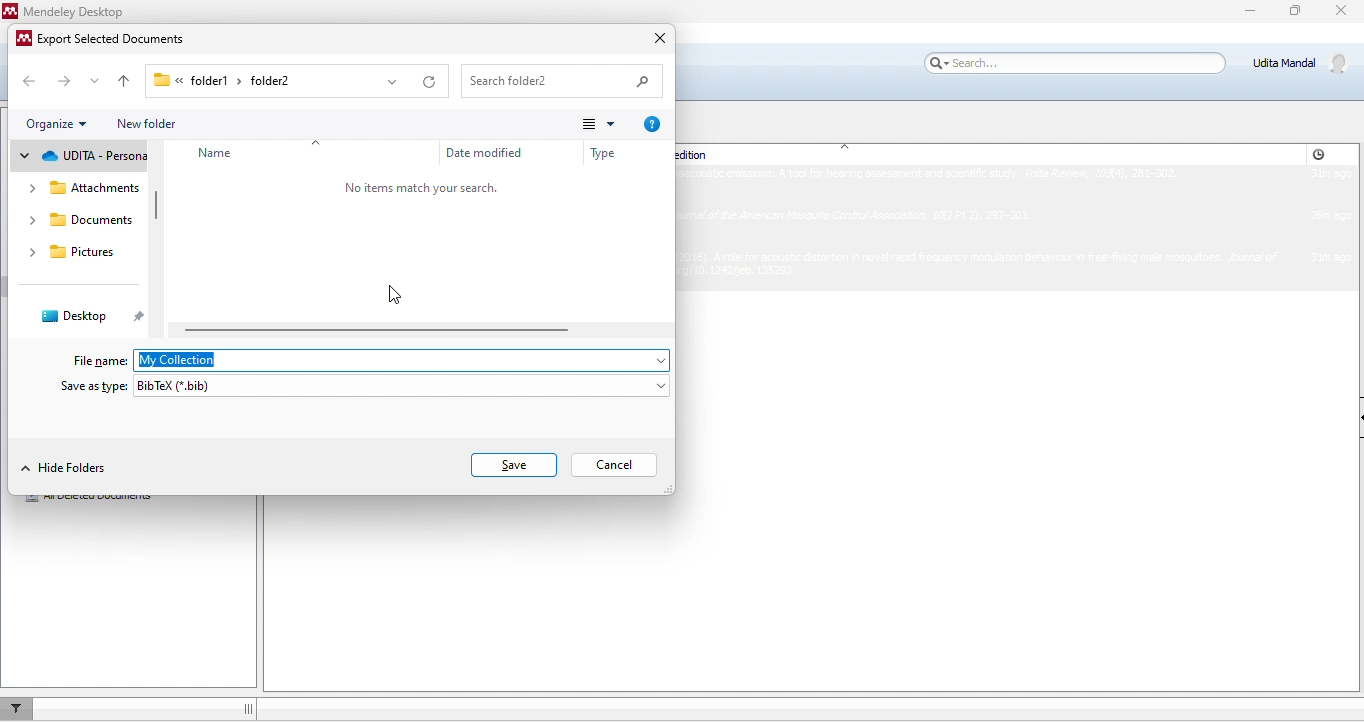  Describe the element at coordinates (108, 39) in the screenshot. I see `export selected documents` at that location.